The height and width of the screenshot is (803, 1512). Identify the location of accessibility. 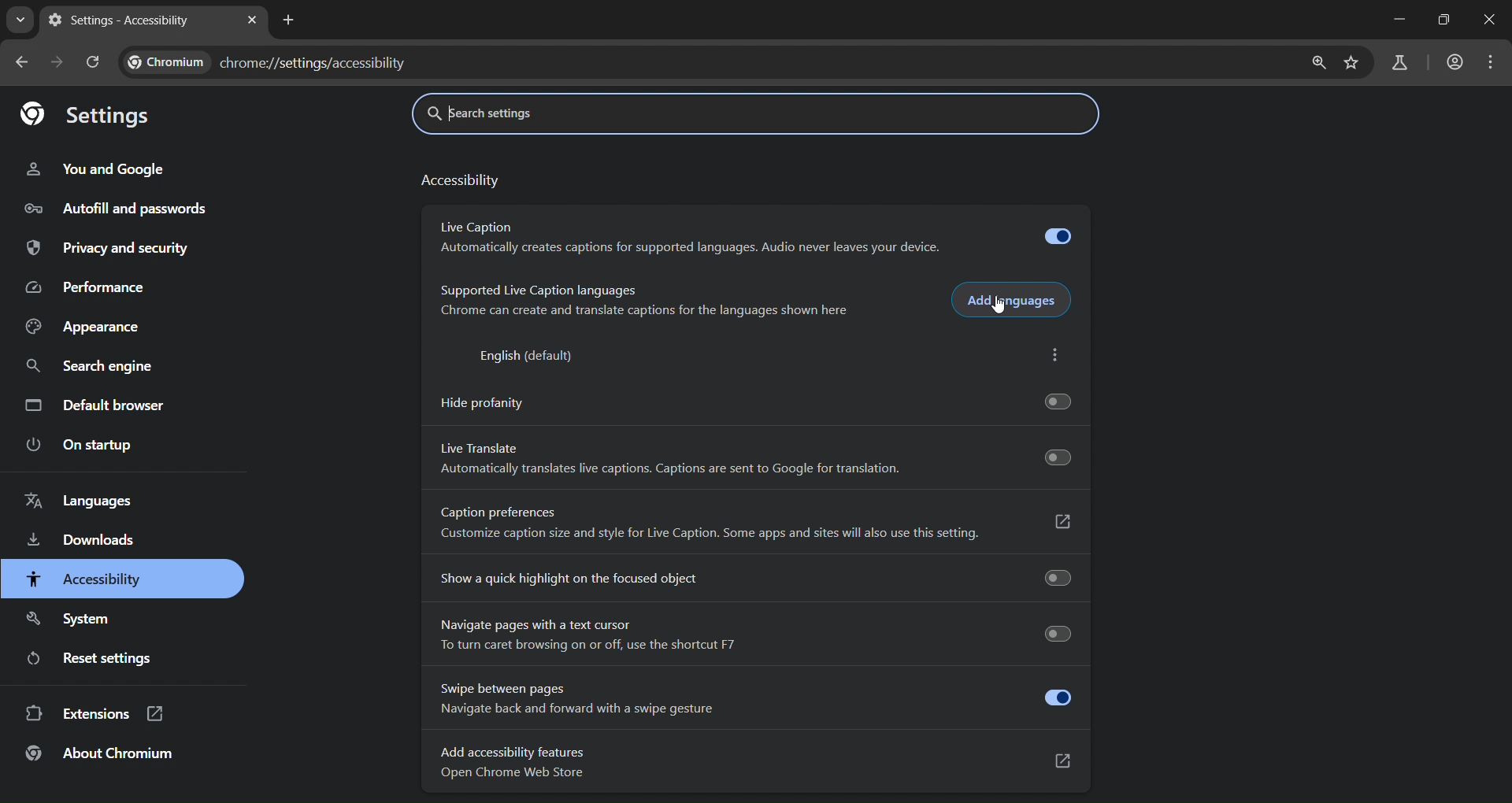
(459, 183).